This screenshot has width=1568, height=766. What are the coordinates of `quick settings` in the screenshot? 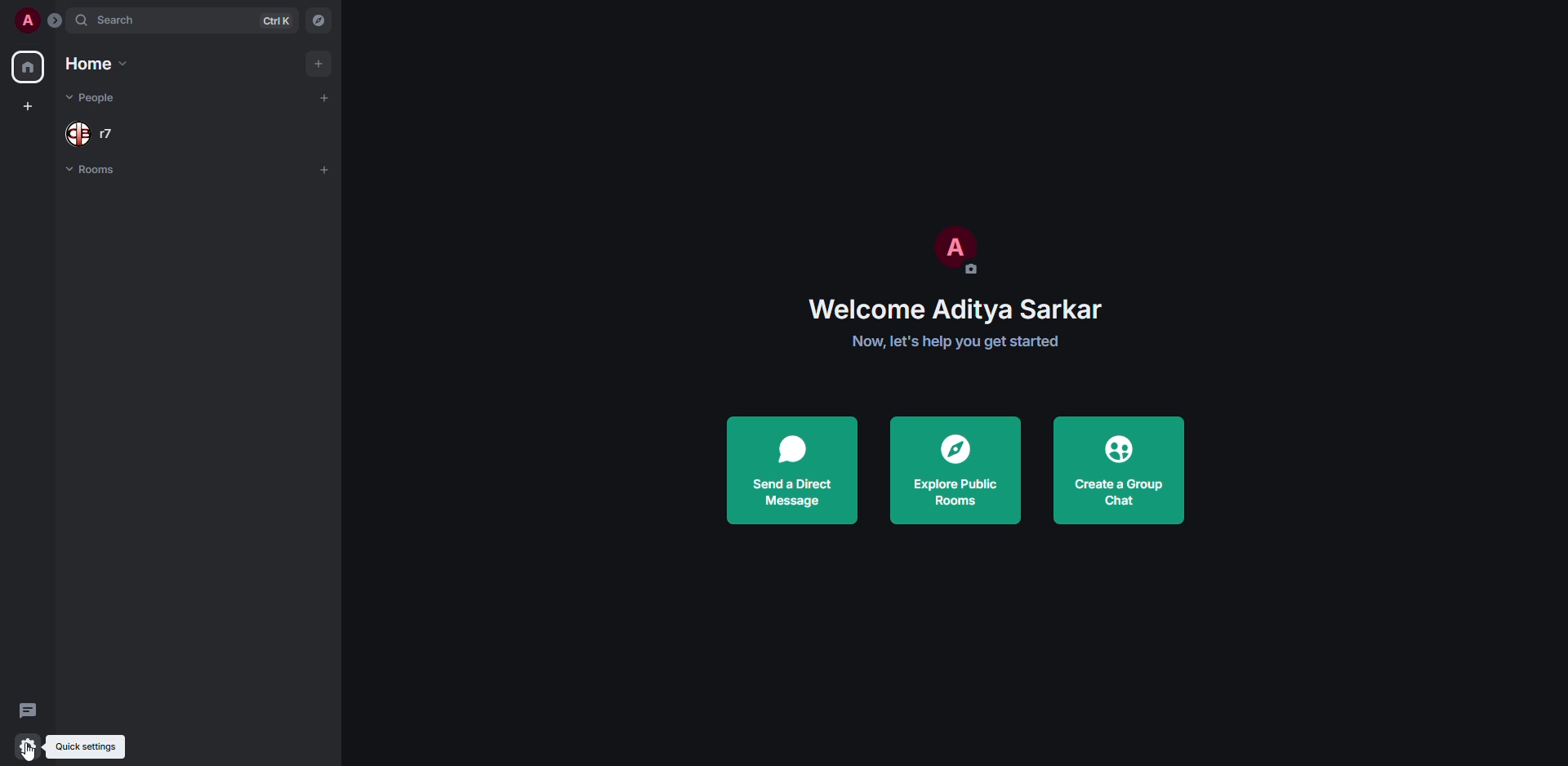 It's located at (86, 746).